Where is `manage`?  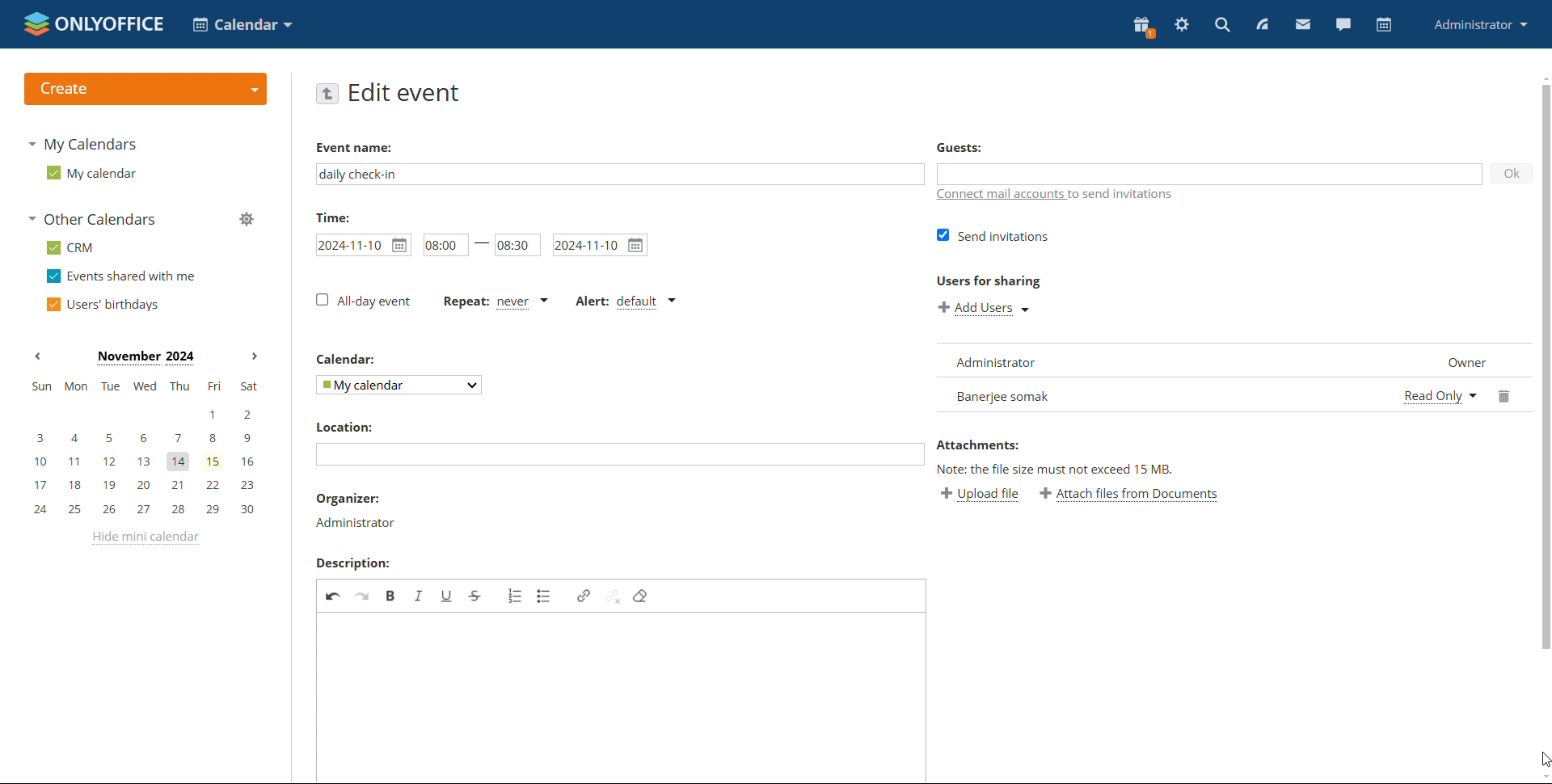 manage is located at coordinates (246, 218).